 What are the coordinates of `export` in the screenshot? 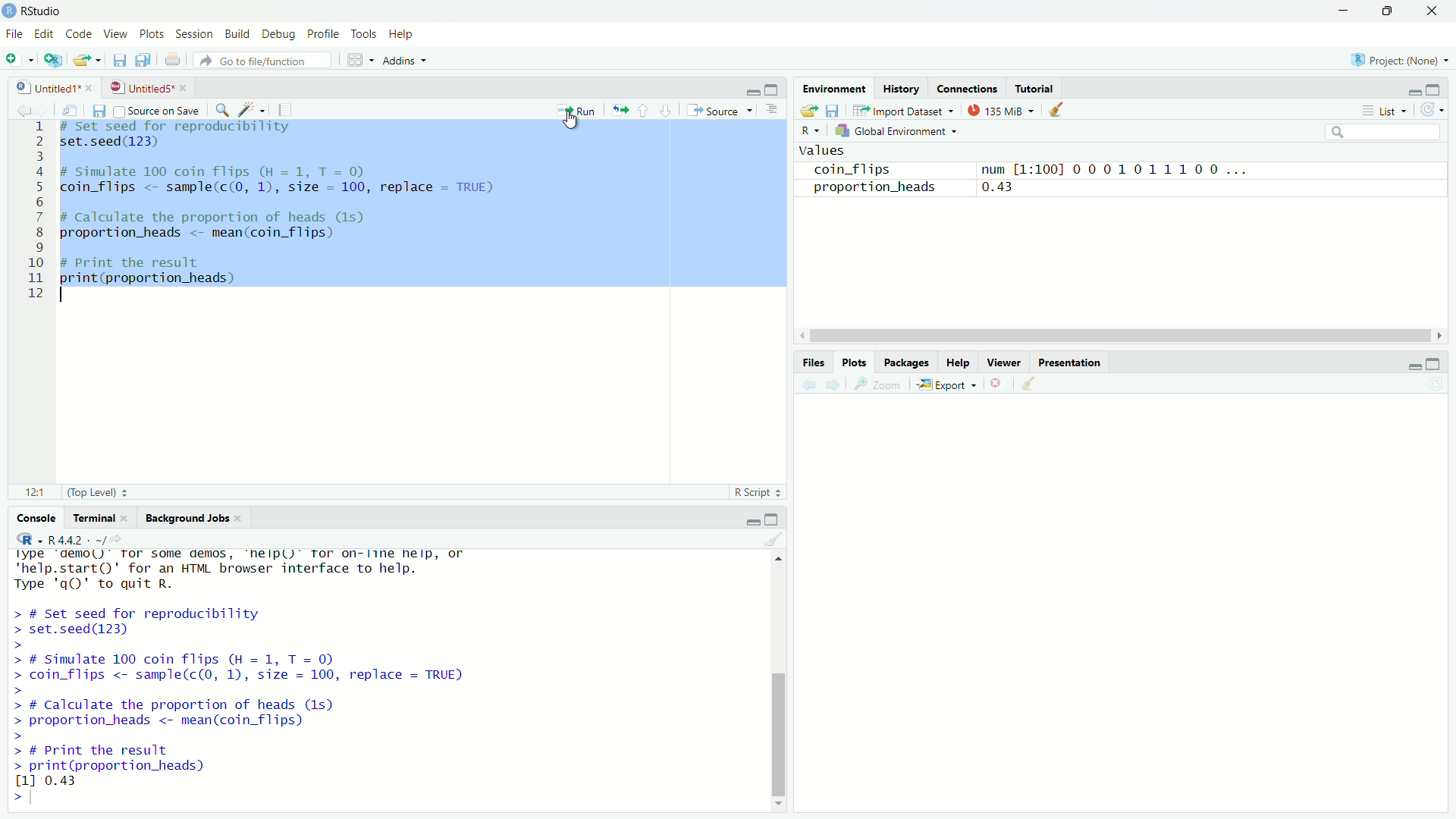 It's located at (950, 384).